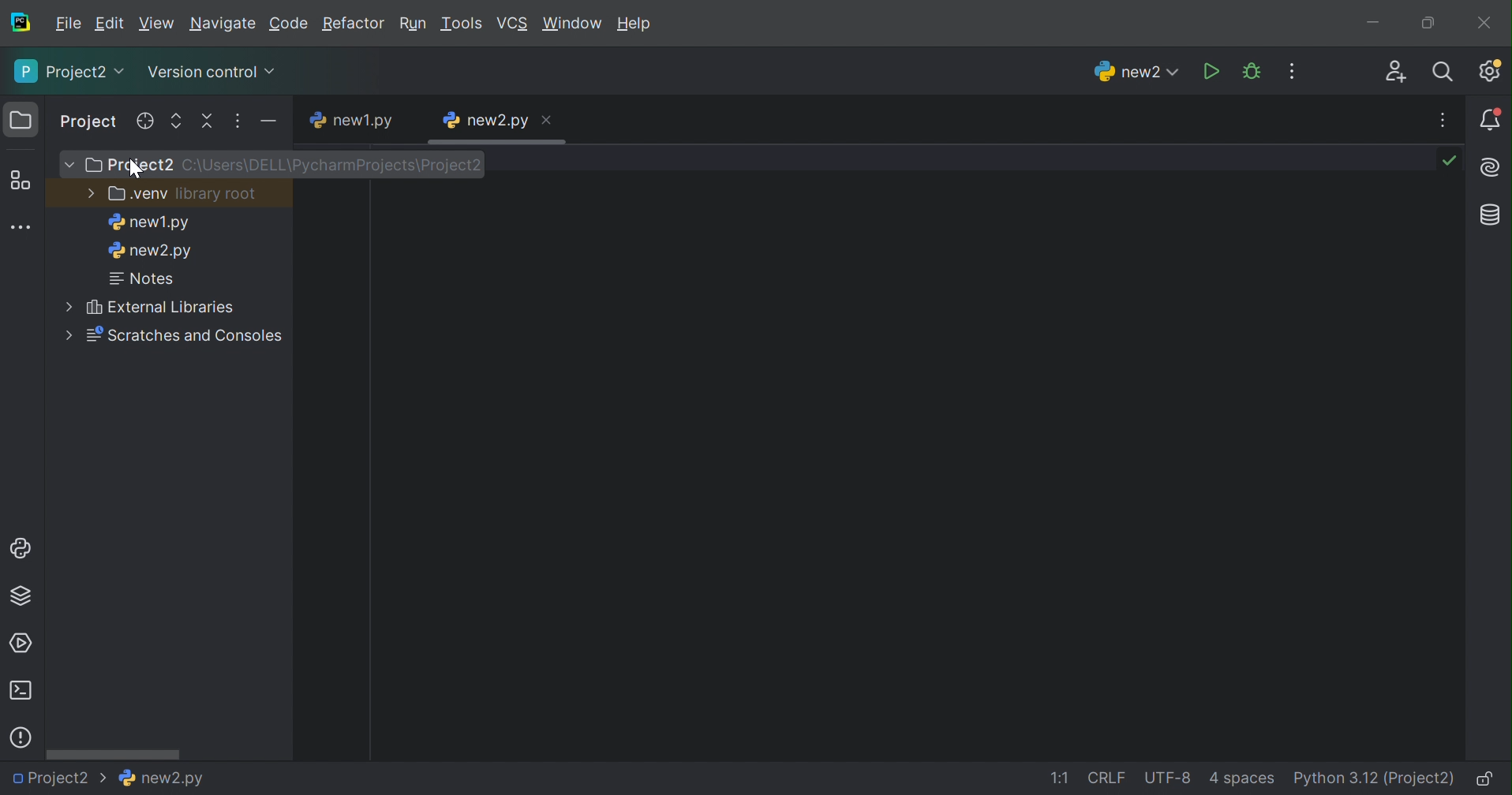  I want to click on More actions, so click(1294, 70).